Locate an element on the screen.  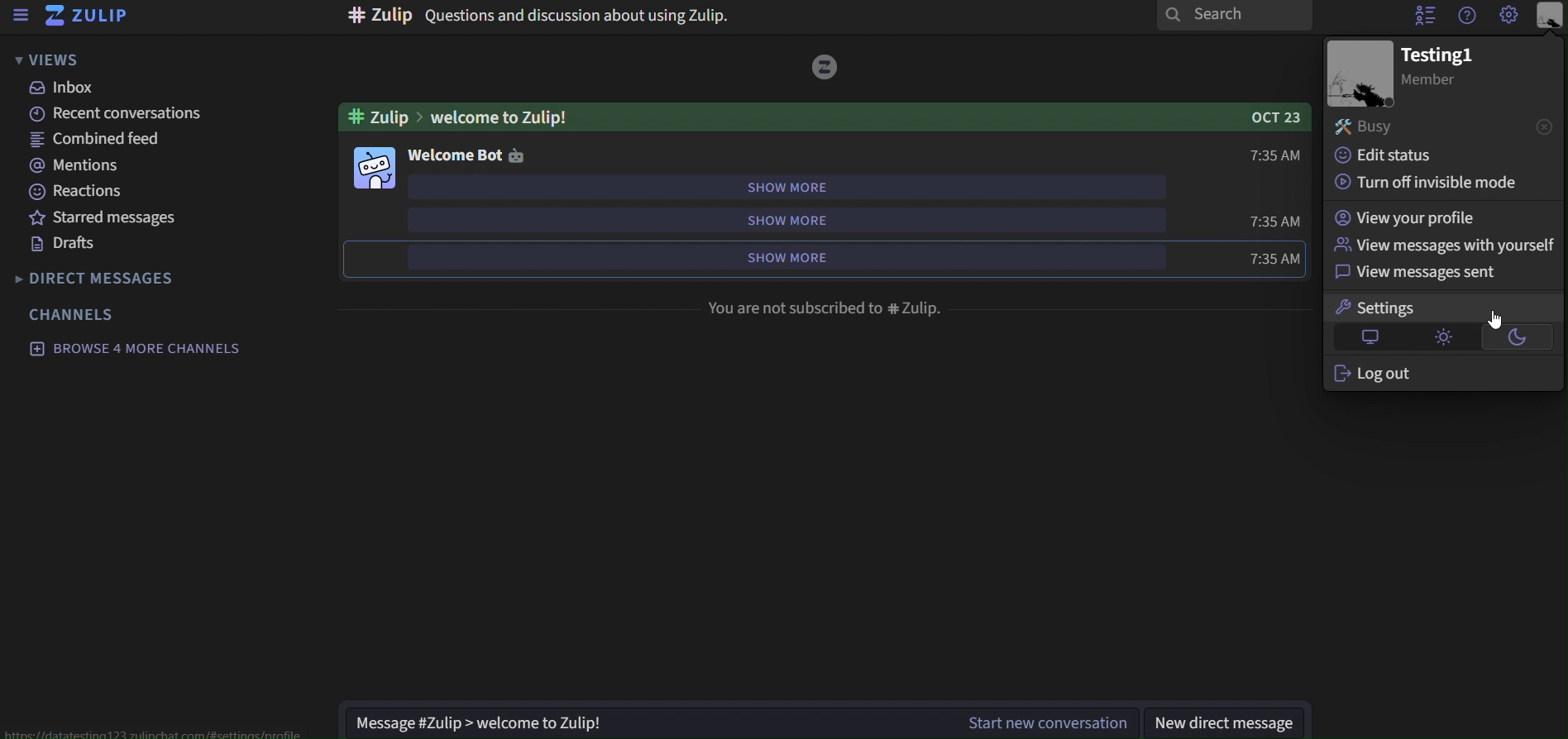
7:35 AM is located at coordinates (1278, 222).